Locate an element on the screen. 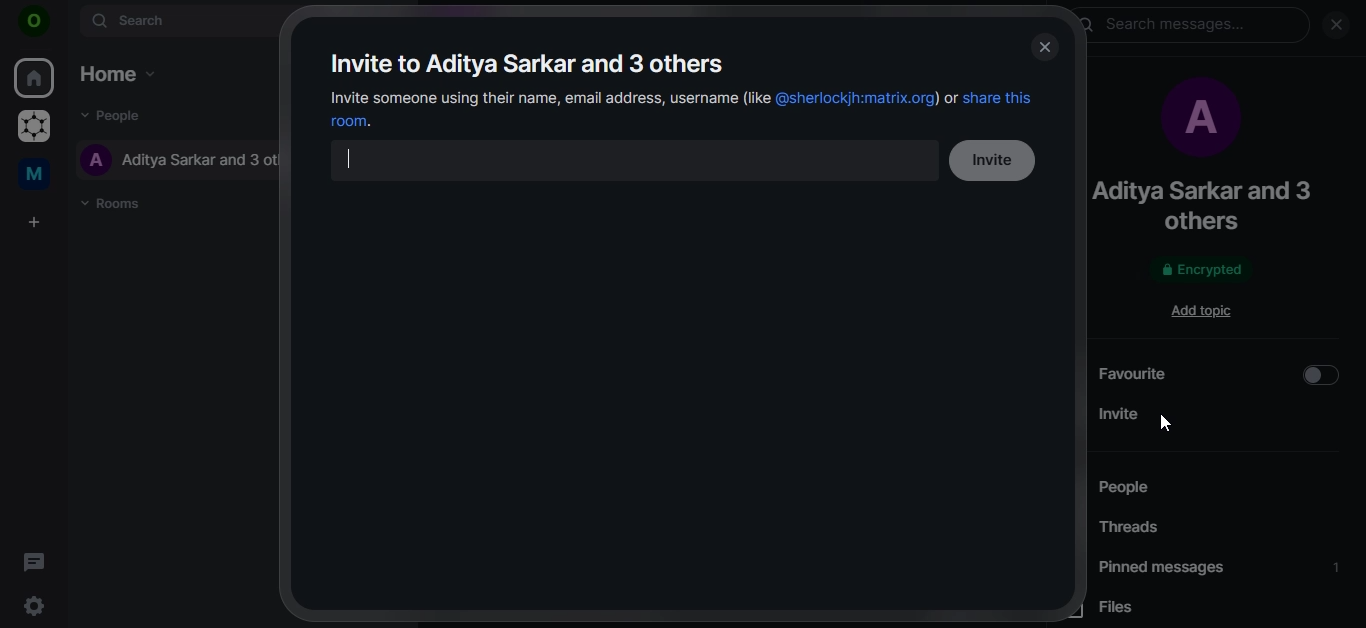  cursor is located at coordinates (1166, 424).